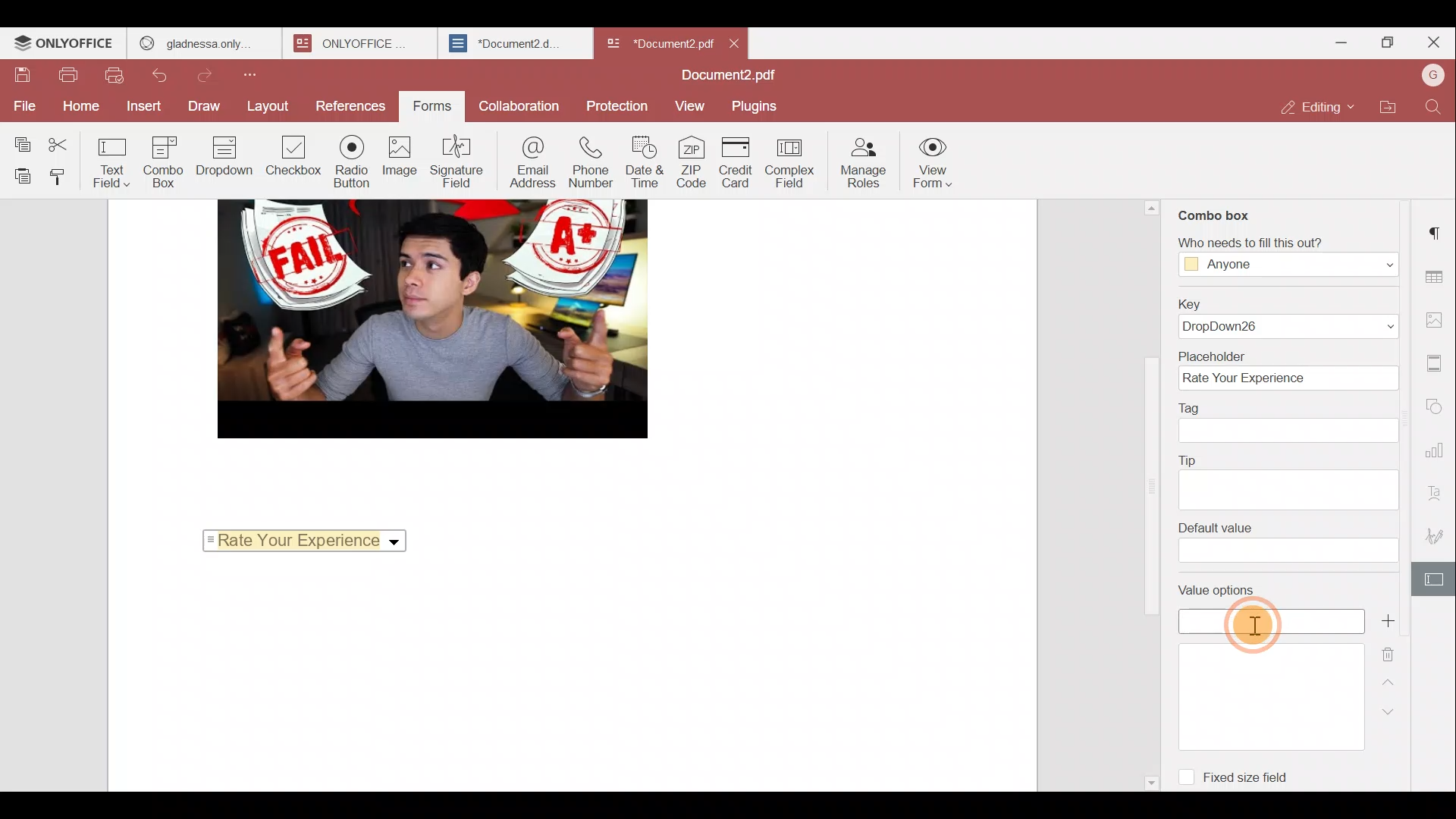 This screenshot has width=1456, height=819. I want to click on Up, so click(1389, 687).